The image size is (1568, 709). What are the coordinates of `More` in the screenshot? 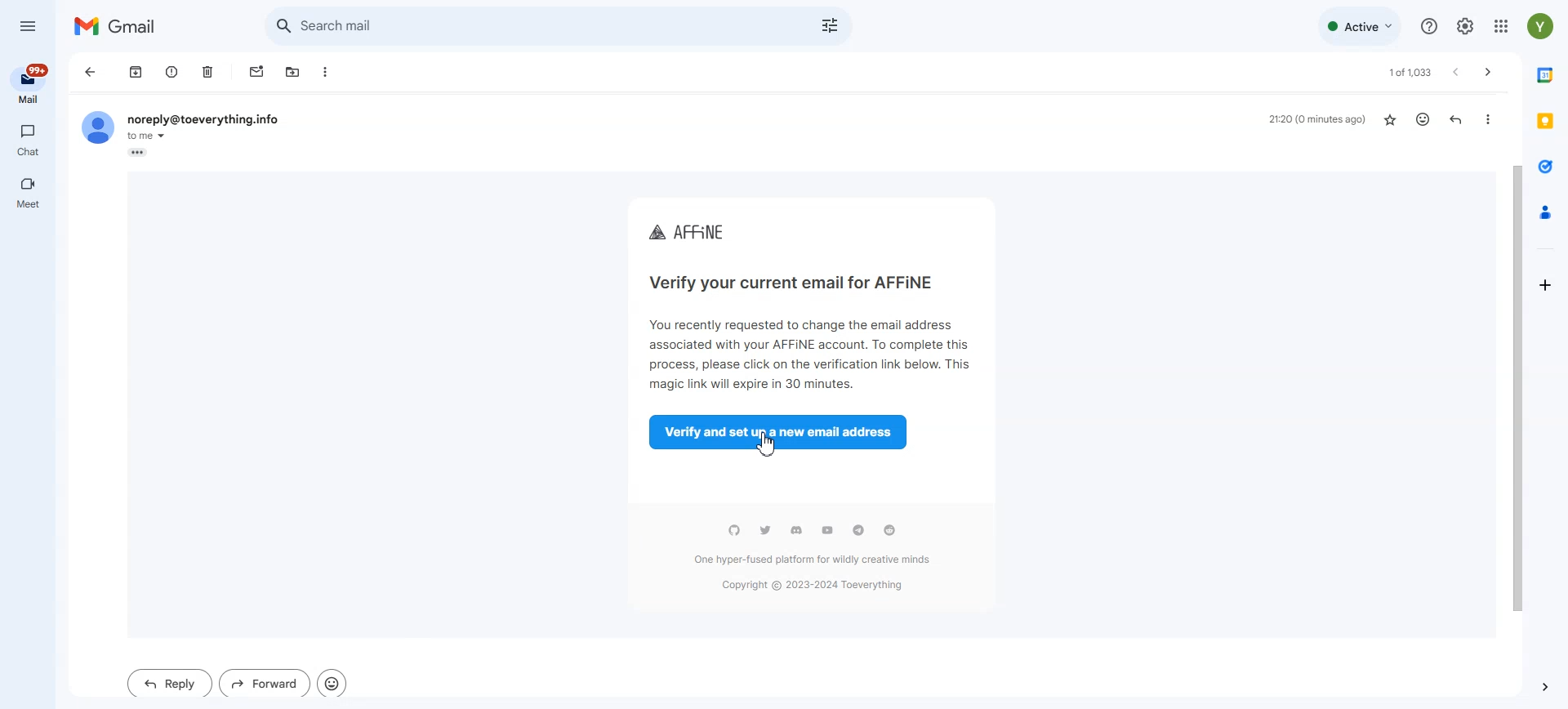 It's located at (1485, 118).